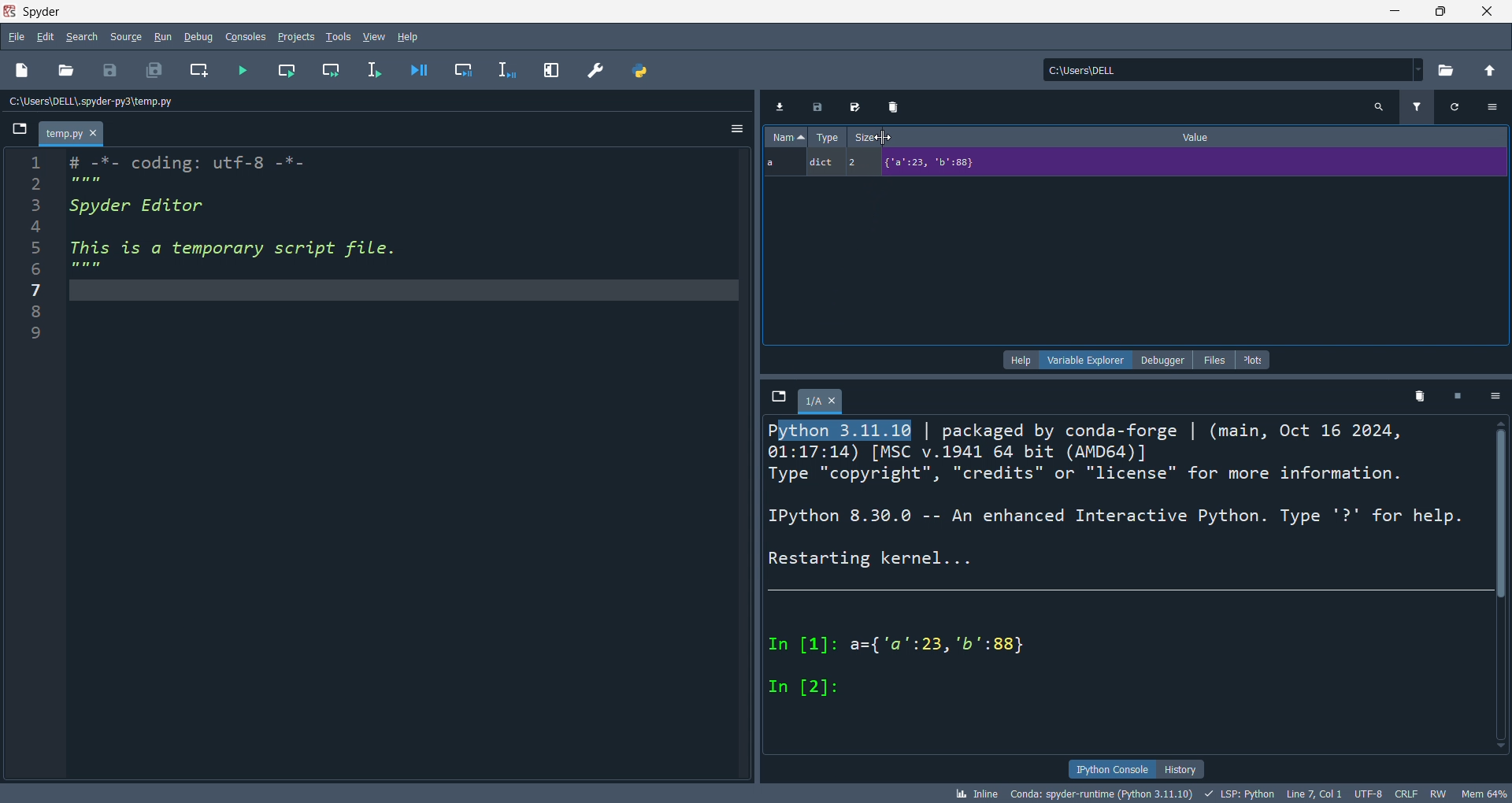 Image resolution: width=1512 pixels, height=803 pixels. What do you see at coordinates (684, 12) in the screenshot?
I see `title bar` at bounding box center [684, 12].